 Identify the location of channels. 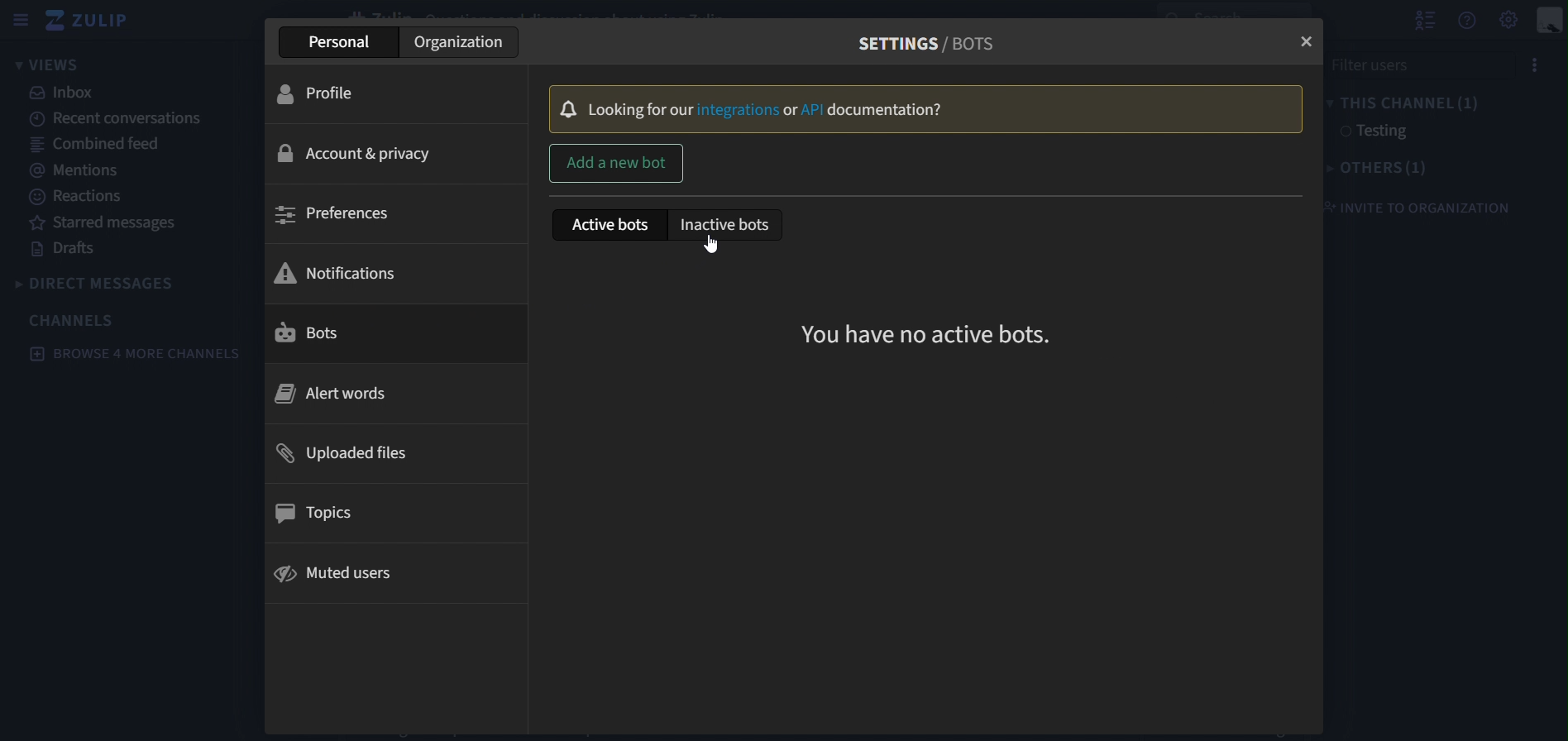
(74, 320).